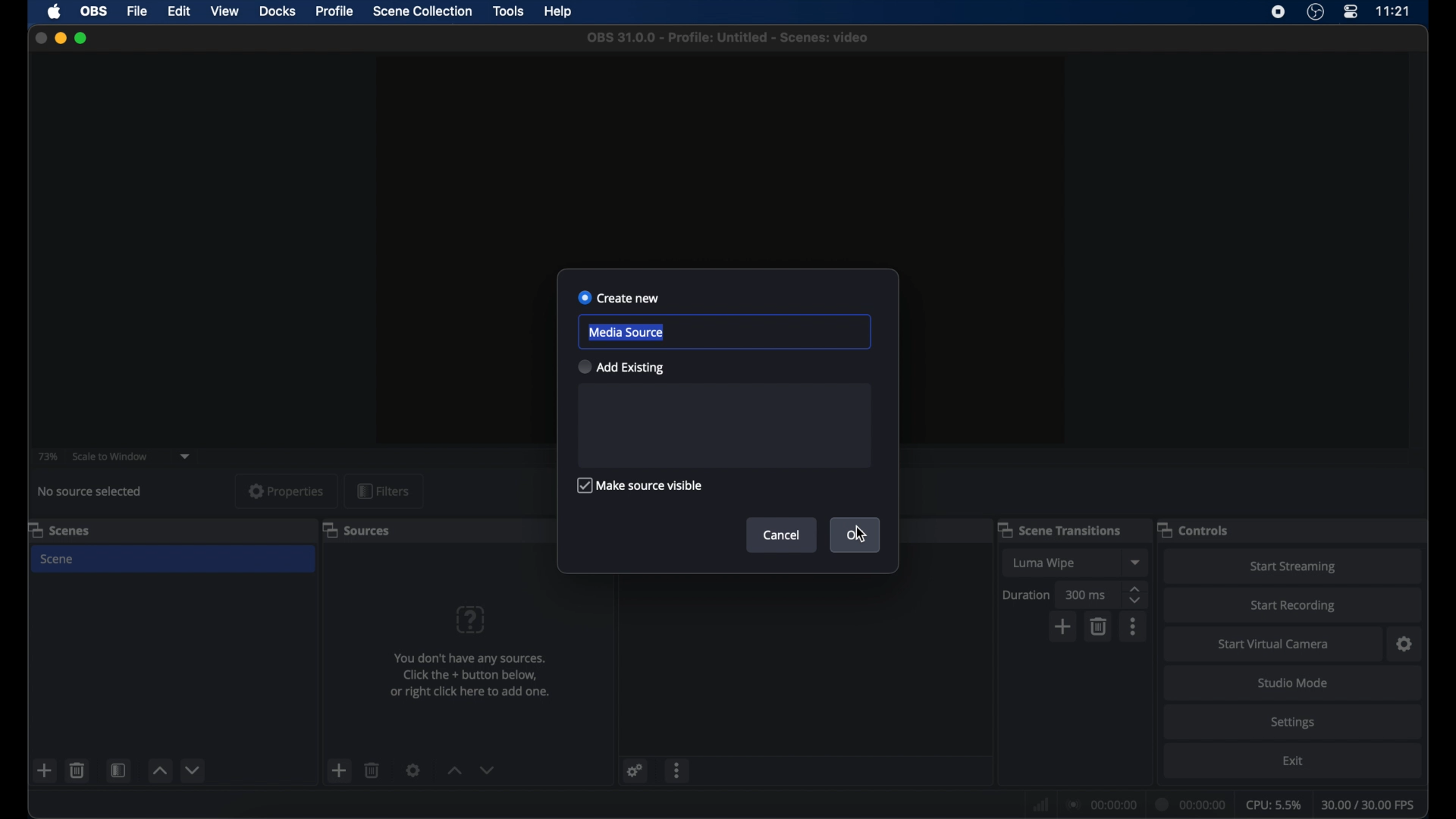 This screenshot has height=819, width=1456. Describe the element at coordinates (60, 529) in the screenshot. I see `scenes` at that location.